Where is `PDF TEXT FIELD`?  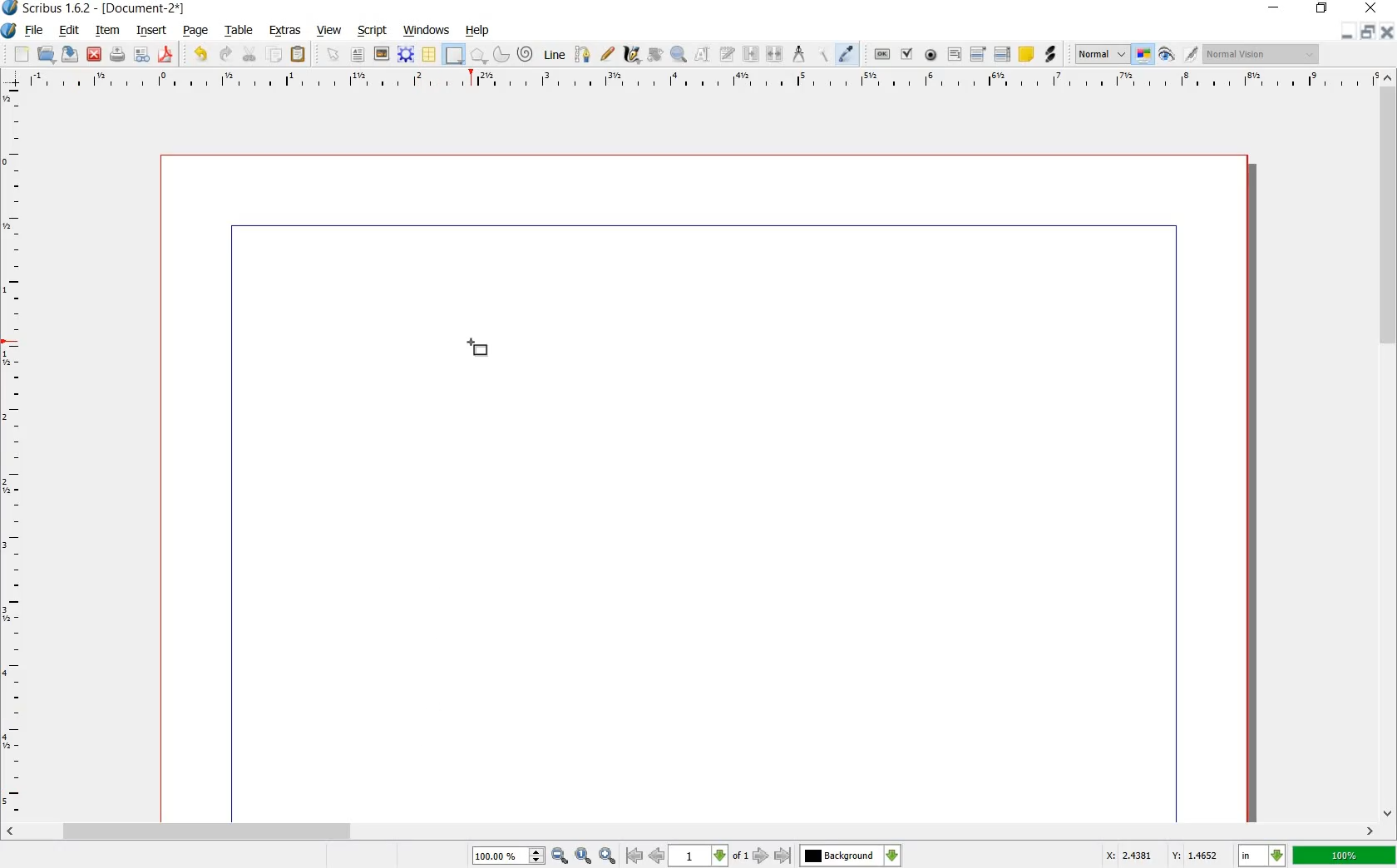
PDF TEXT FIELD is located at coordinates (954, 55).